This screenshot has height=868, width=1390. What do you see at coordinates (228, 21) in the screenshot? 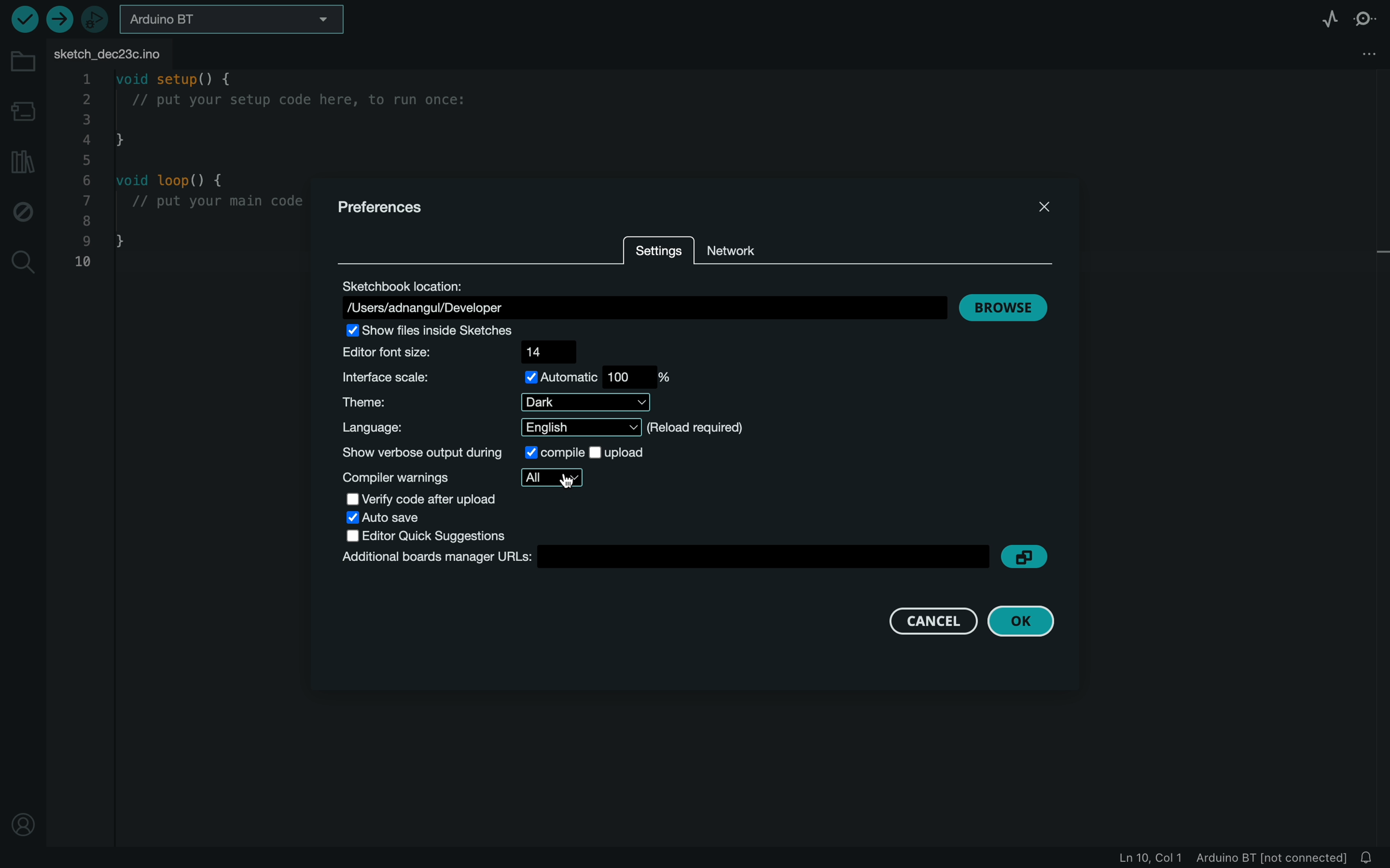
I see `board selecter` at bounding box center [228, 21].